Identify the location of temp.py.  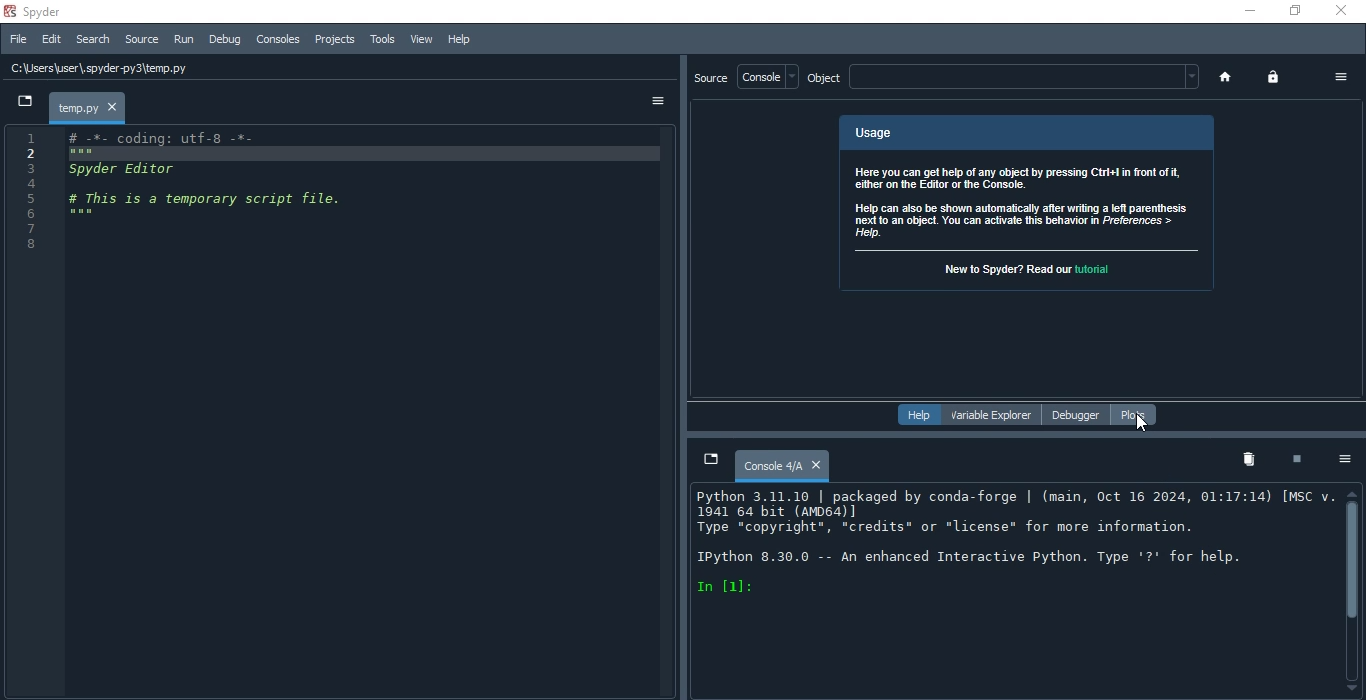
(89, 107).